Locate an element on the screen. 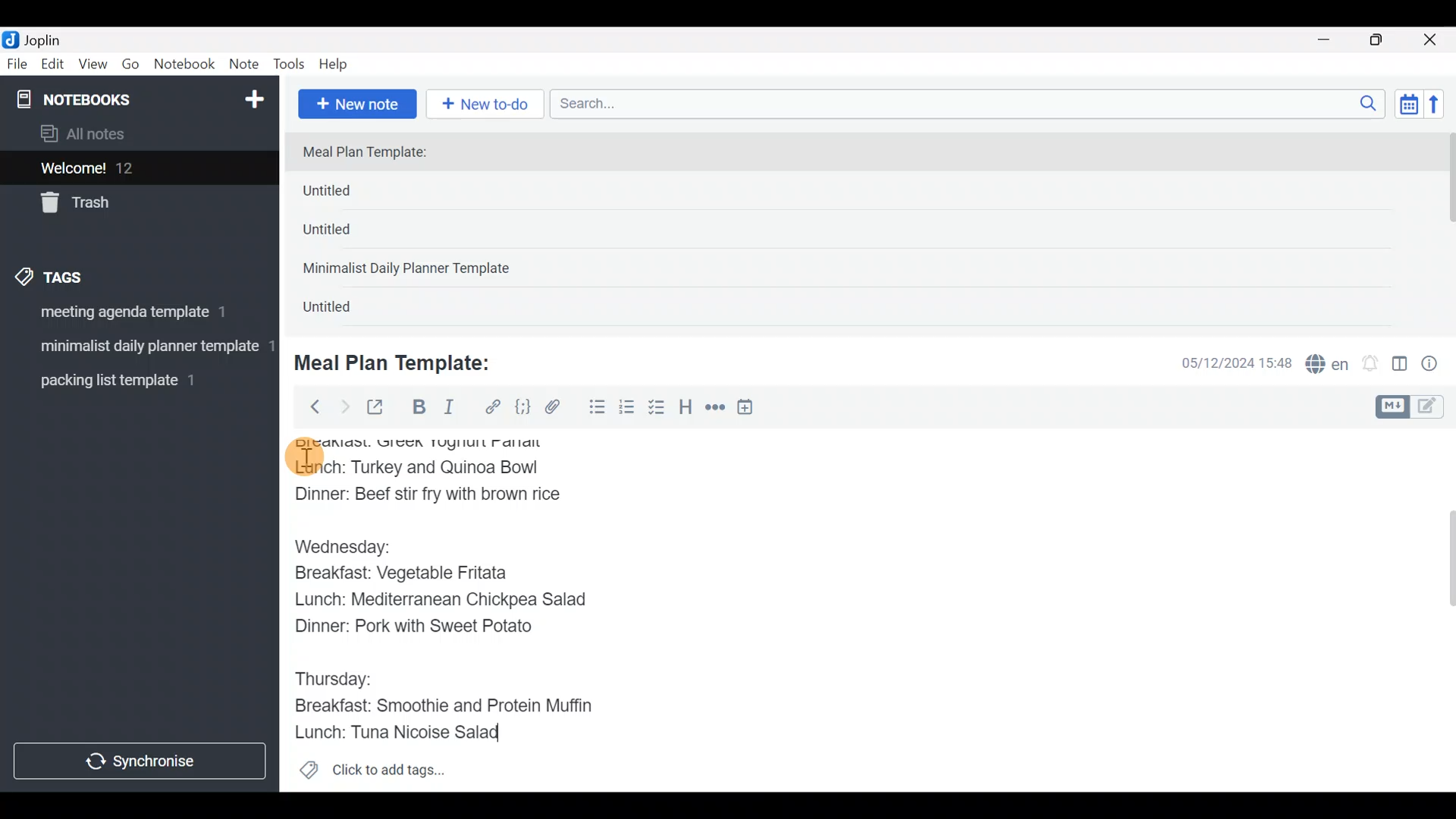 The height and width of the screenshot is (819, 1456). Untitled is located at coordinates (347, 234).